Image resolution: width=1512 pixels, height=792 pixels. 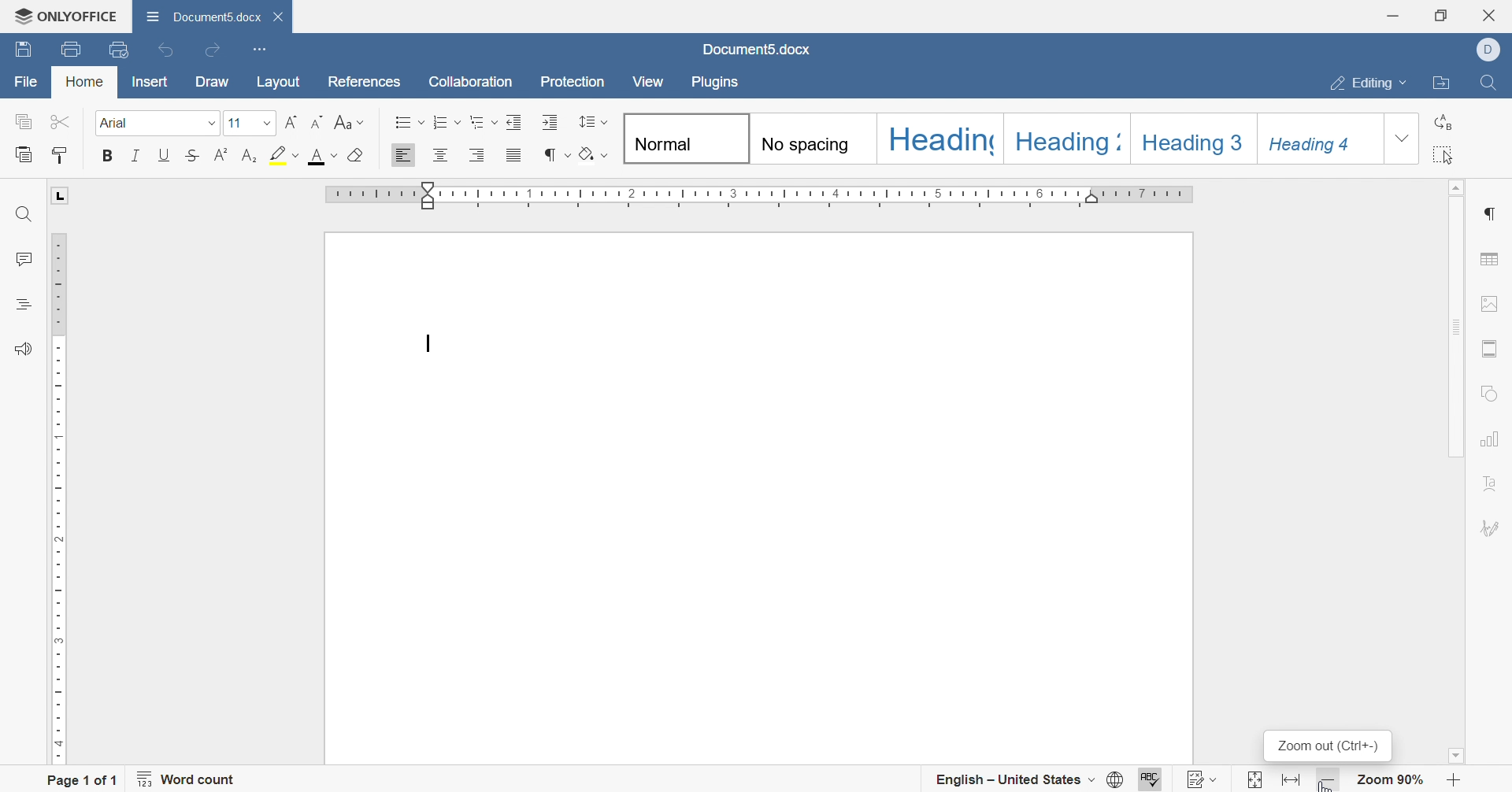 I want to click on header and footer settings, so click(x=1492, y=347).